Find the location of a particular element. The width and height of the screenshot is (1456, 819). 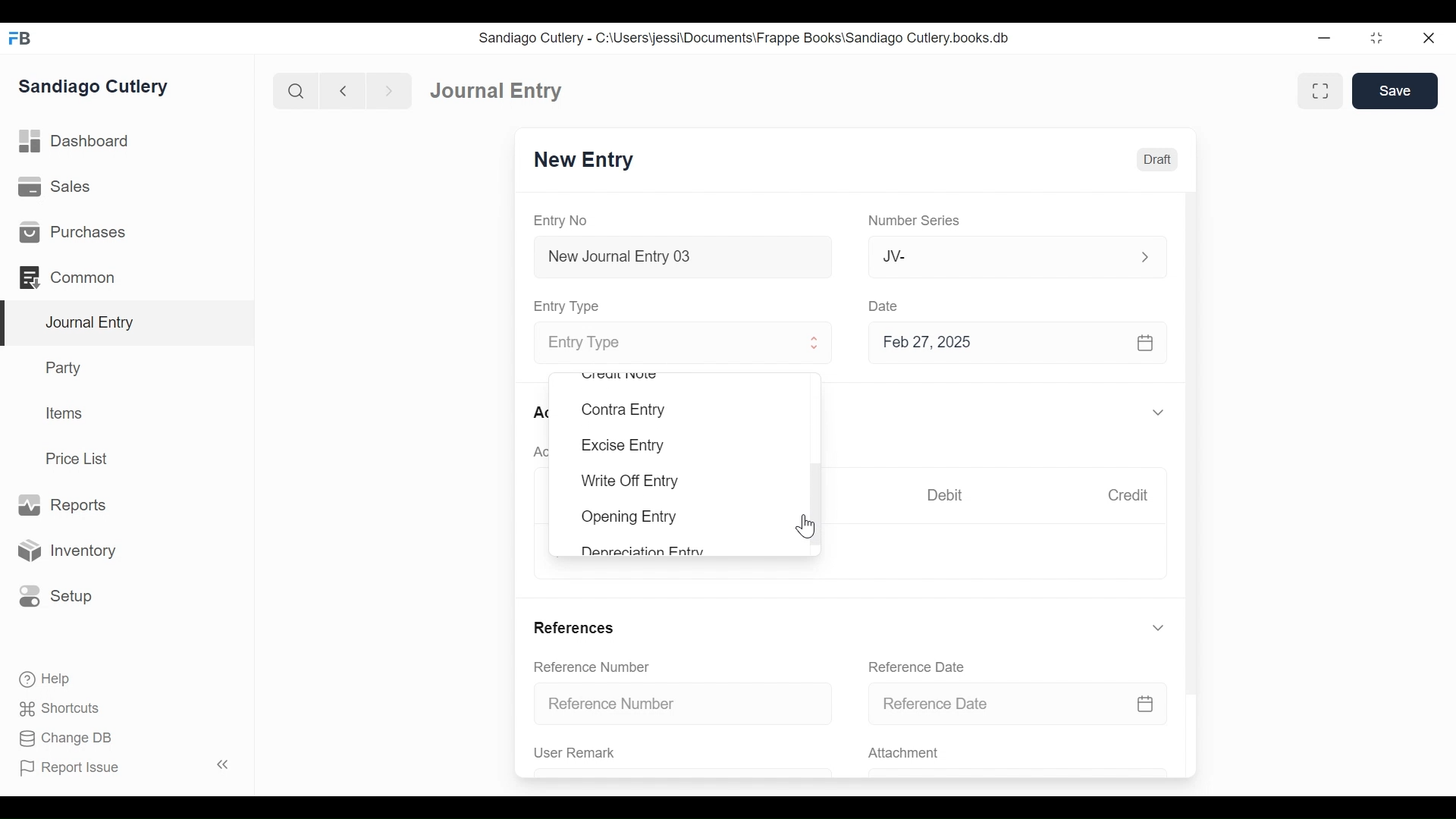

Attachment is located at coordinates (903, 755).